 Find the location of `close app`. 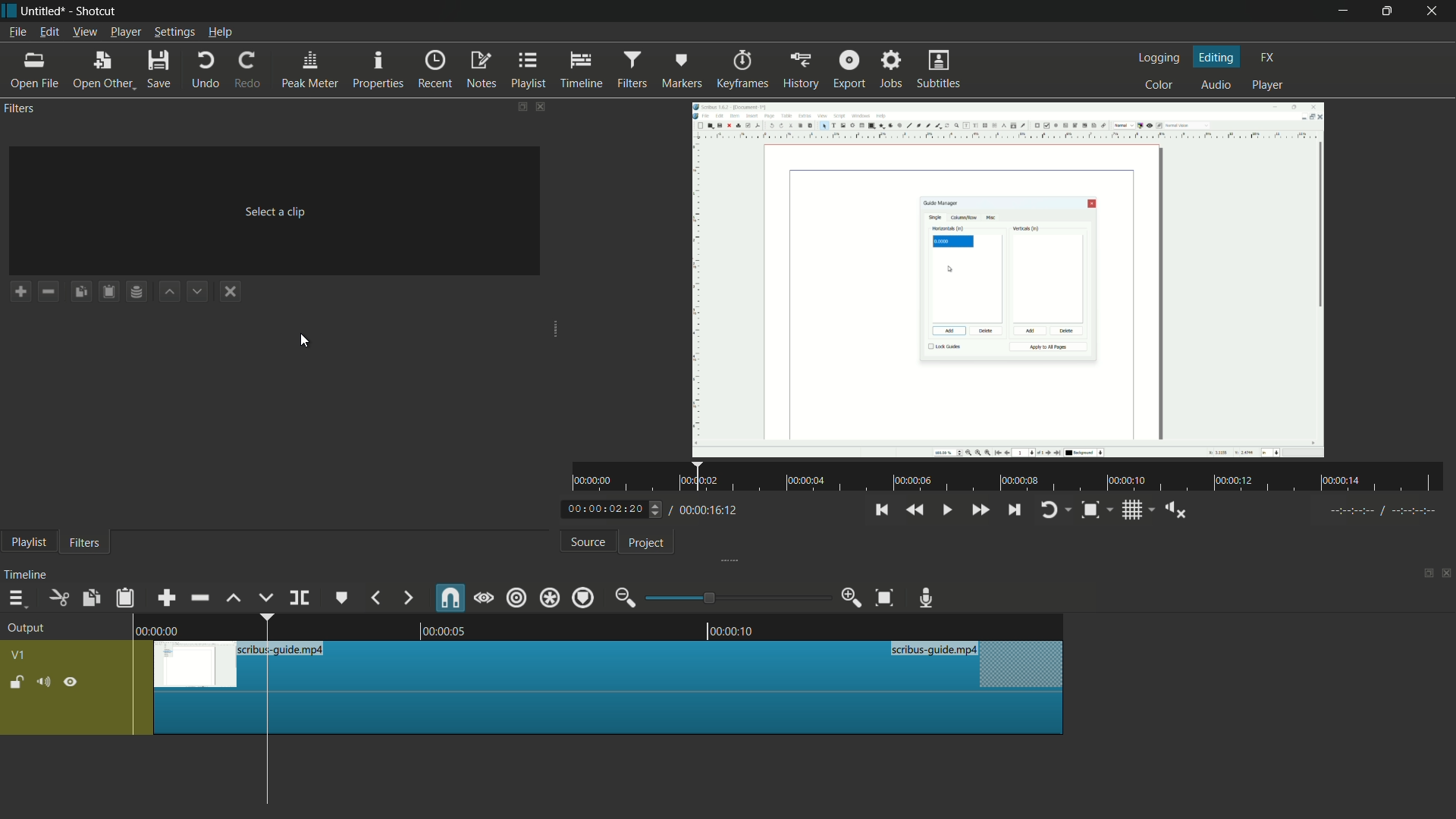

close app is located at coordinates (1436, 11).